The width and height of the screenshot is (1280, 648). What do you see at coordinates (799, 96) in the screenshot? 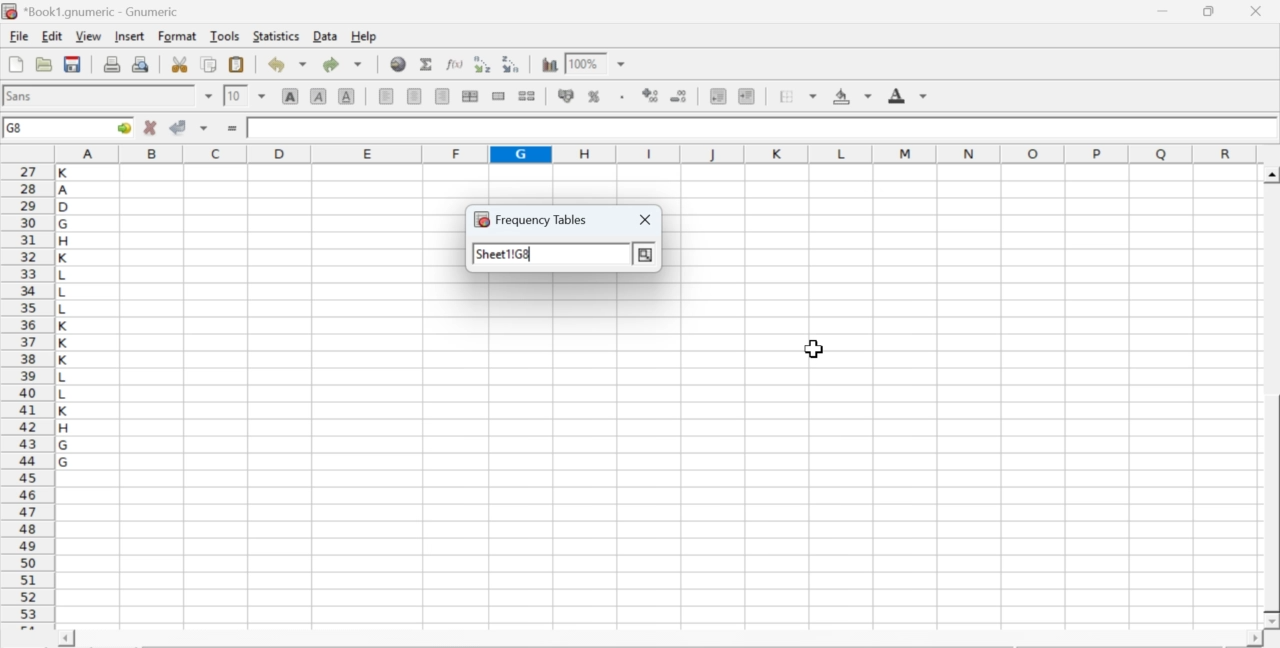
I see `borders` at bounding box center [799, 96].